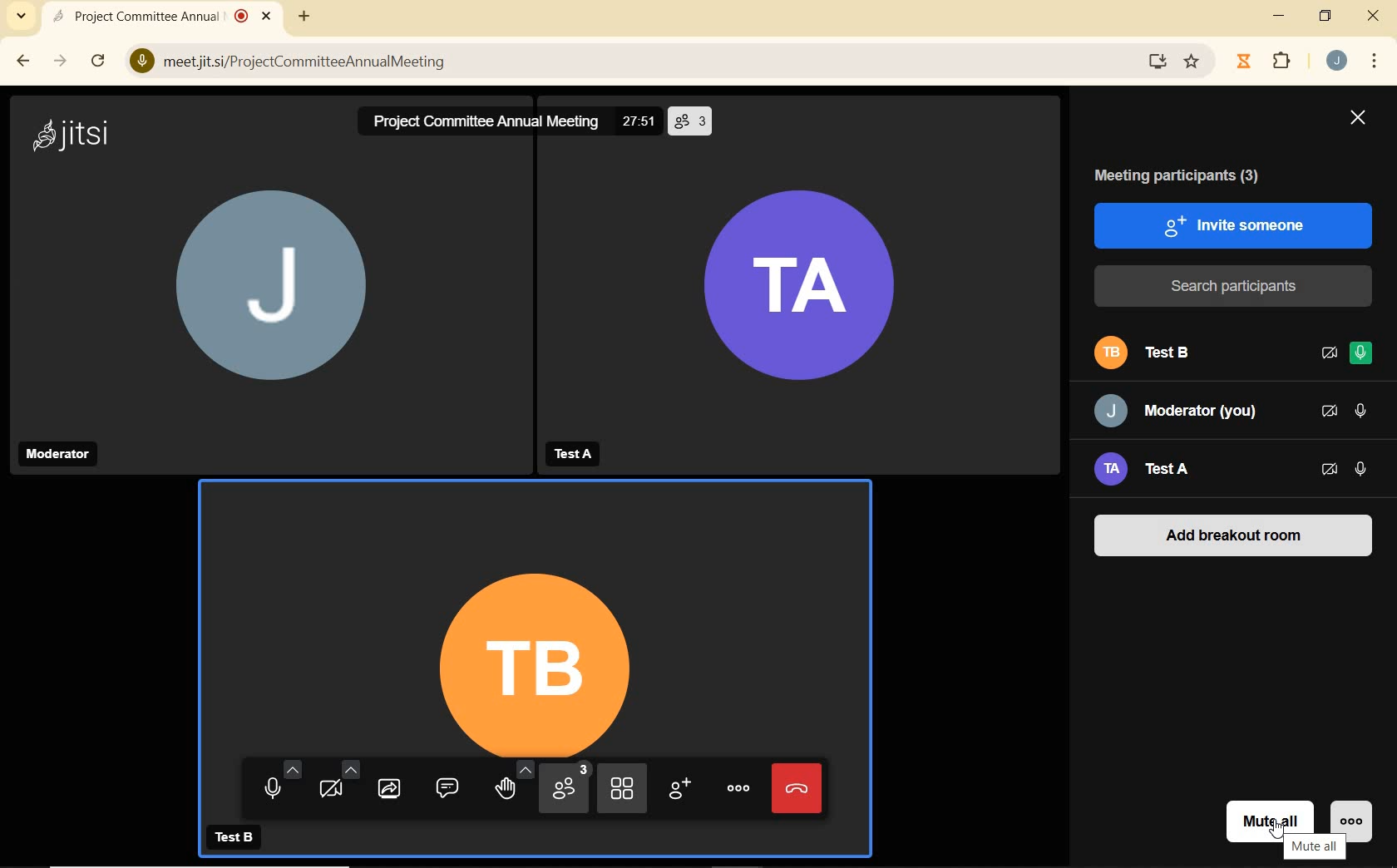 This screenshot has height=868, width=1397. Describe the element at coordinates (1166, 468) in the screenshot. I see `PARTICIPANT A` at that location.